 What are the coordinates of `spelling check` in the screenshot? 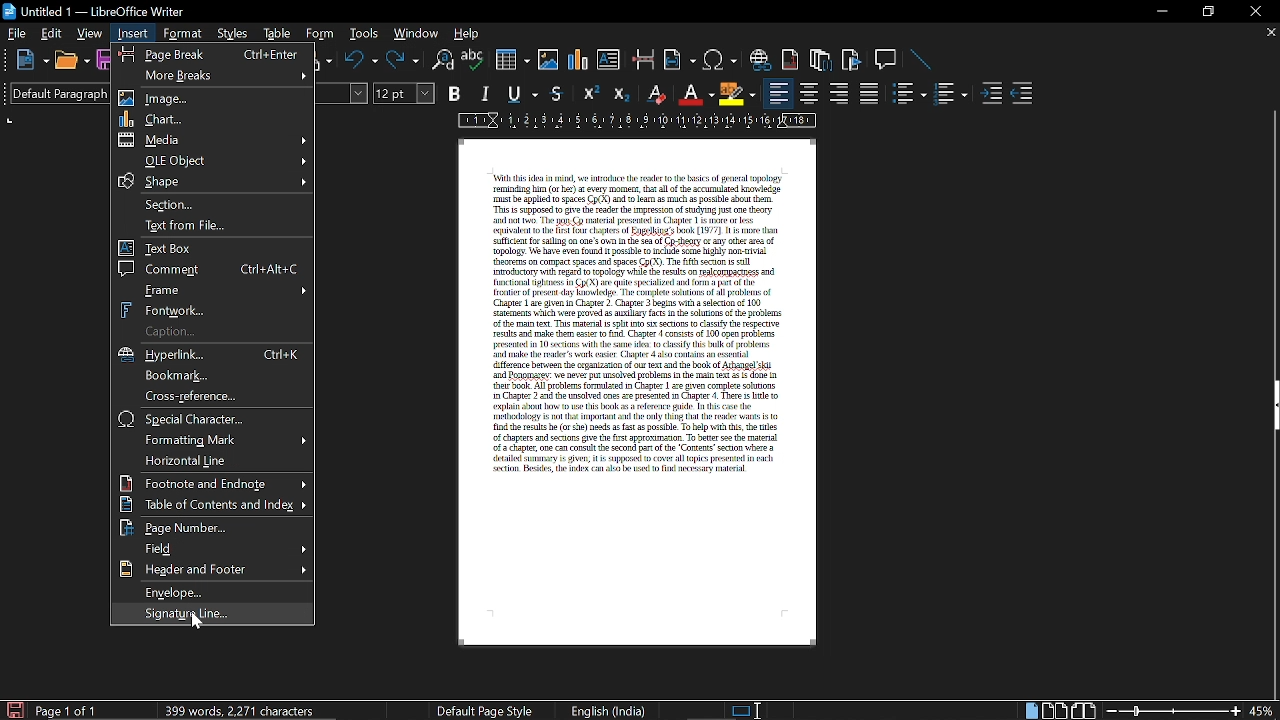 It's located at (473, 60).